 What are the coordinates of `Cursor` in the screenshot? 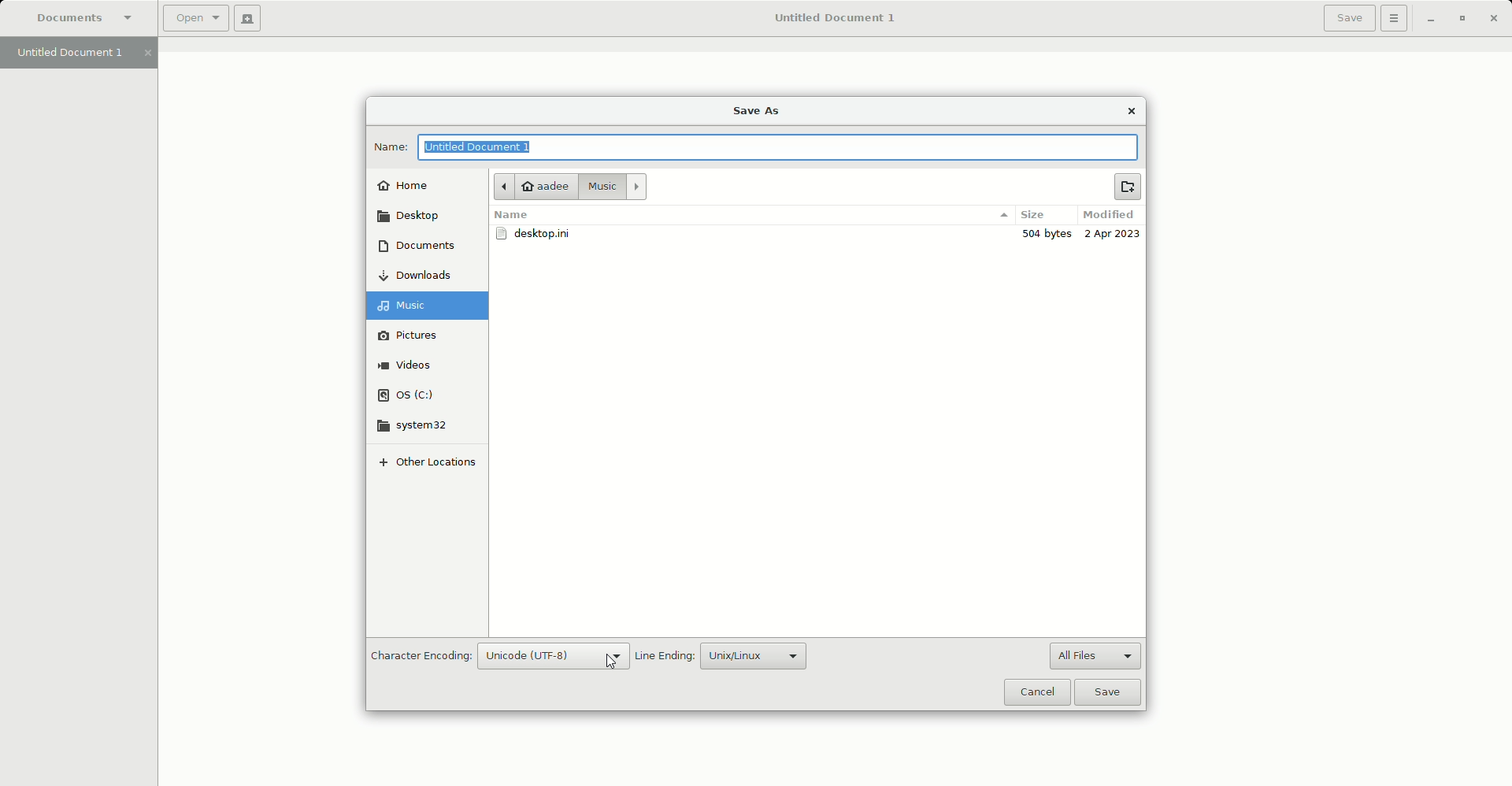 It's located at (610, 663).